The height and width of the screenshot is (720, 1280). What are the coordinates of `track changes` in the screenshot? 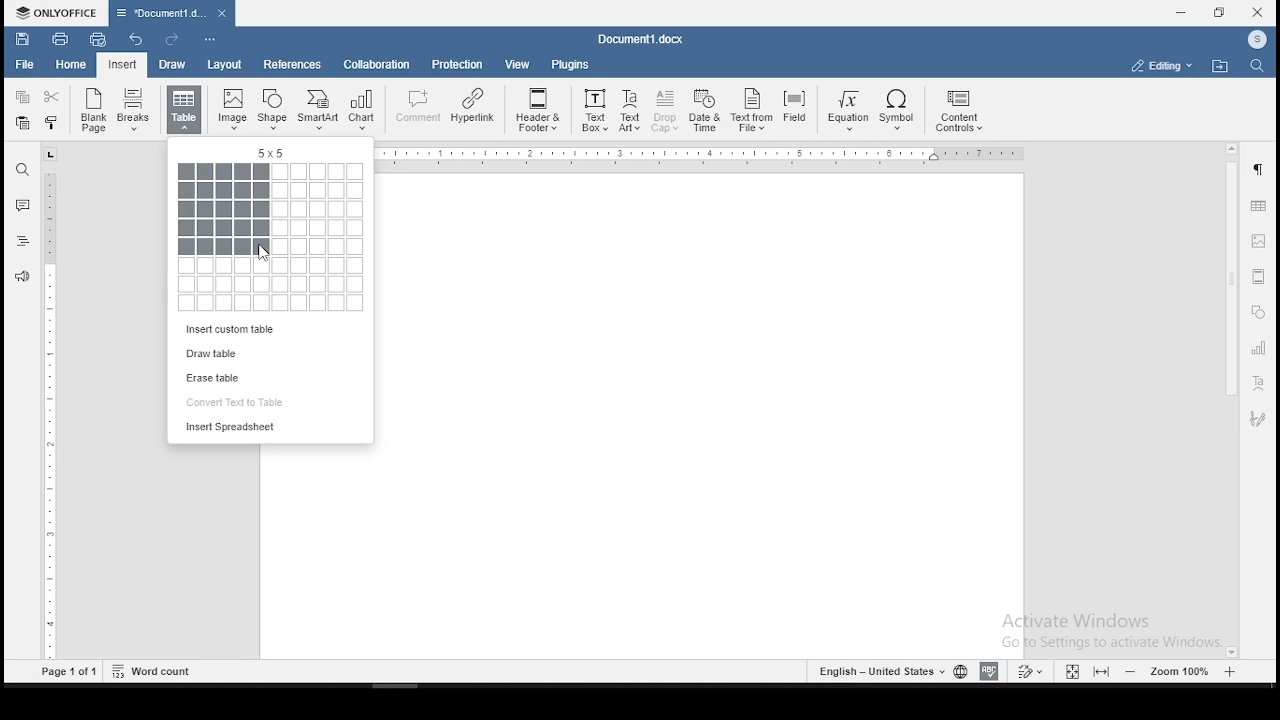 It's located at (1032, 670).